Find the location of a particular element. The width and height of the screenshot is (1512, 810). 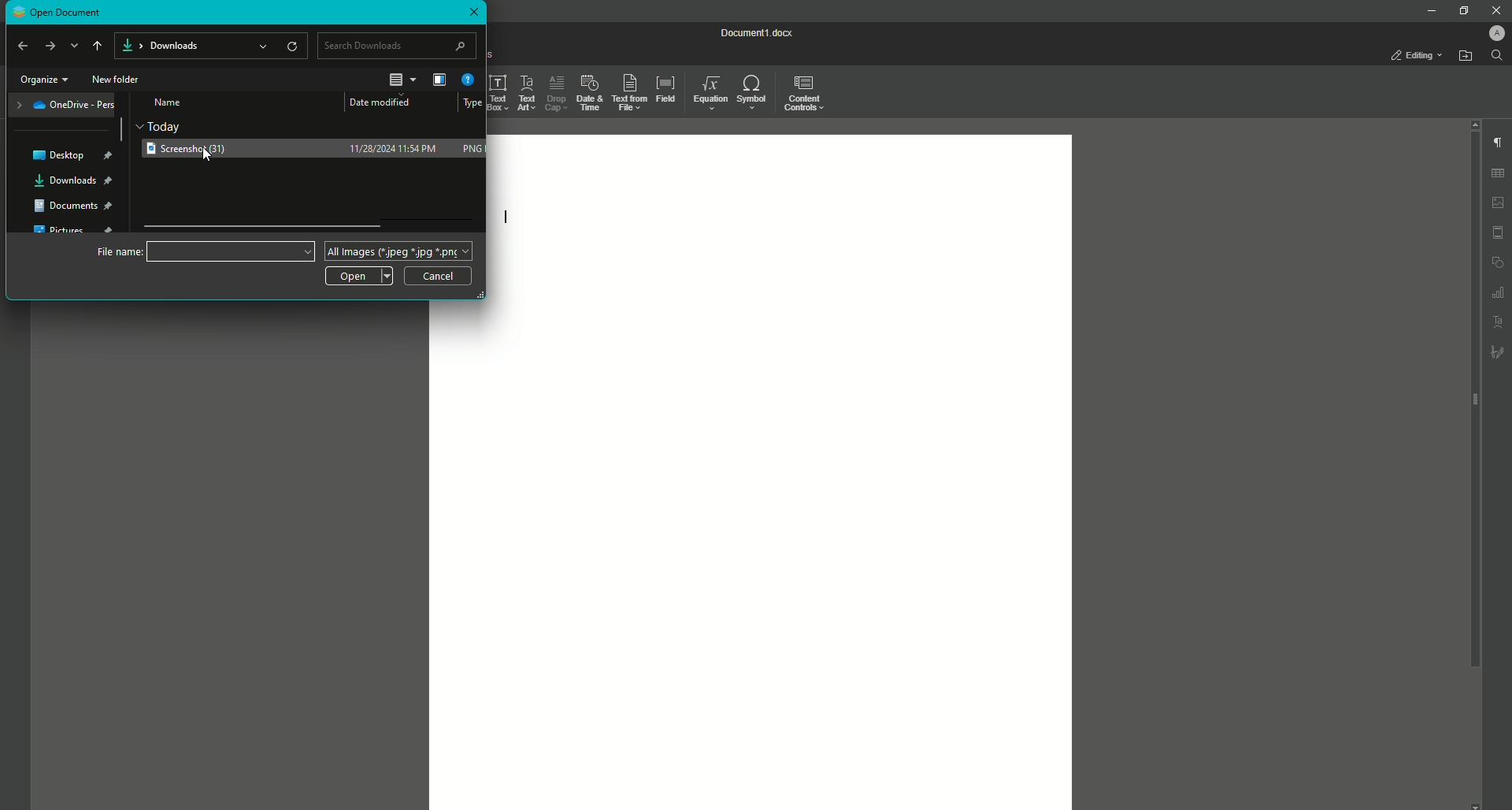

Forward is located at coordinates (50, 47).